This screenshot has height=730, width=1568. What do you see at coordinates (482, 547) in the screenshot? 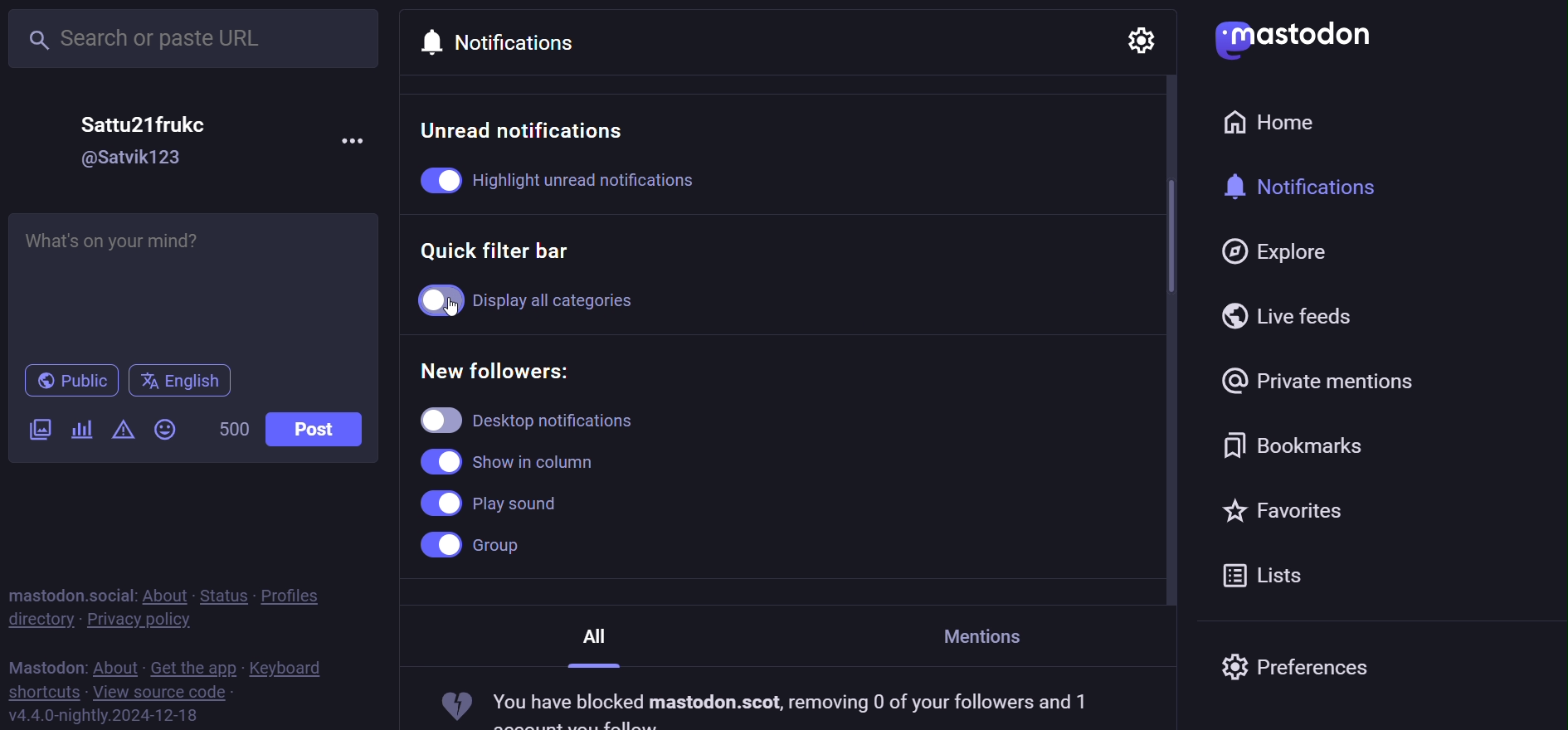
I see `group` at bounding box center [482, 547].